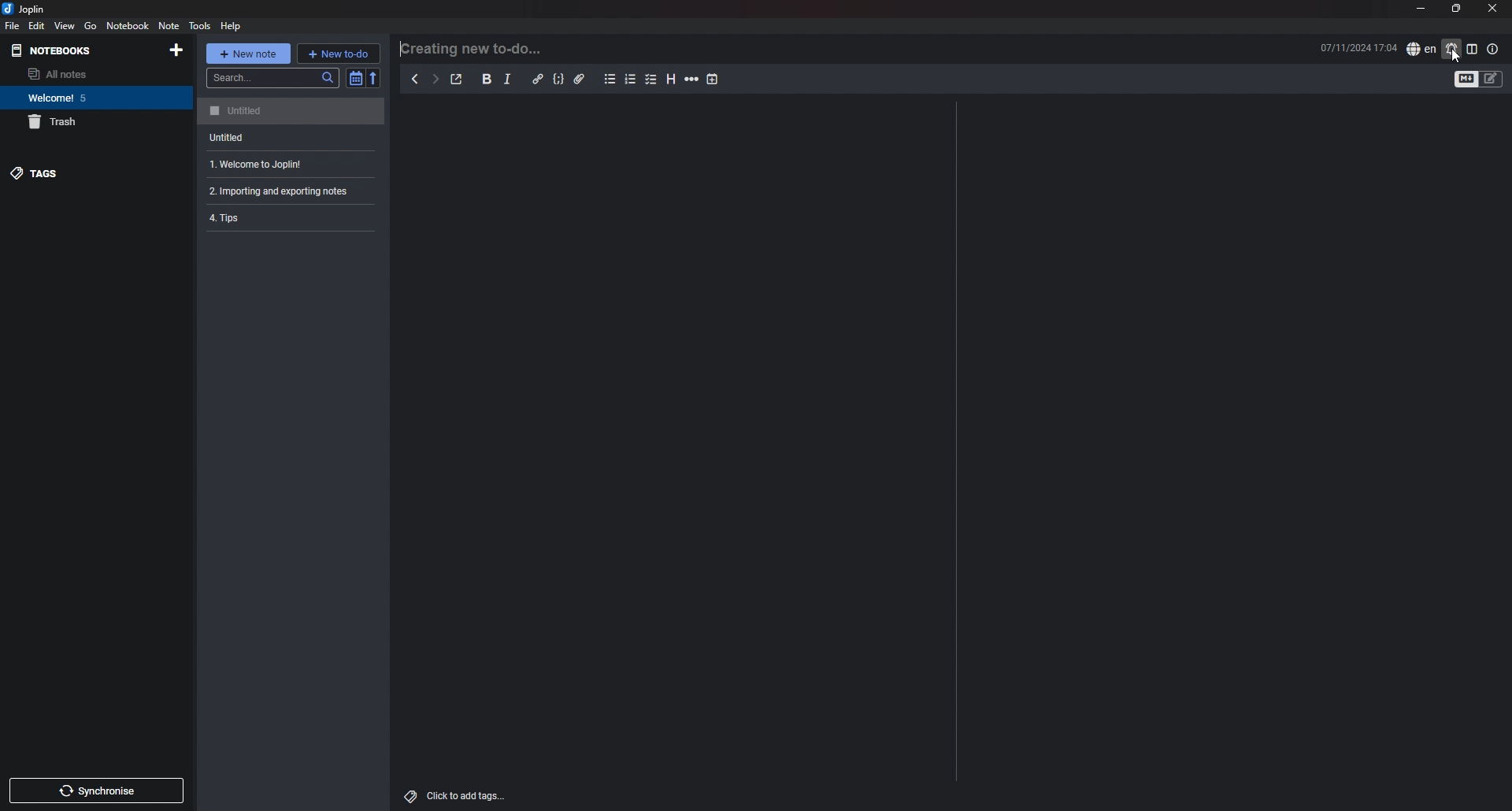 Image resolution: width=1512 pixels, height=811 pixels. Describe the element at coordinates (169, 26) in the screenshot. I see `note` at that location.